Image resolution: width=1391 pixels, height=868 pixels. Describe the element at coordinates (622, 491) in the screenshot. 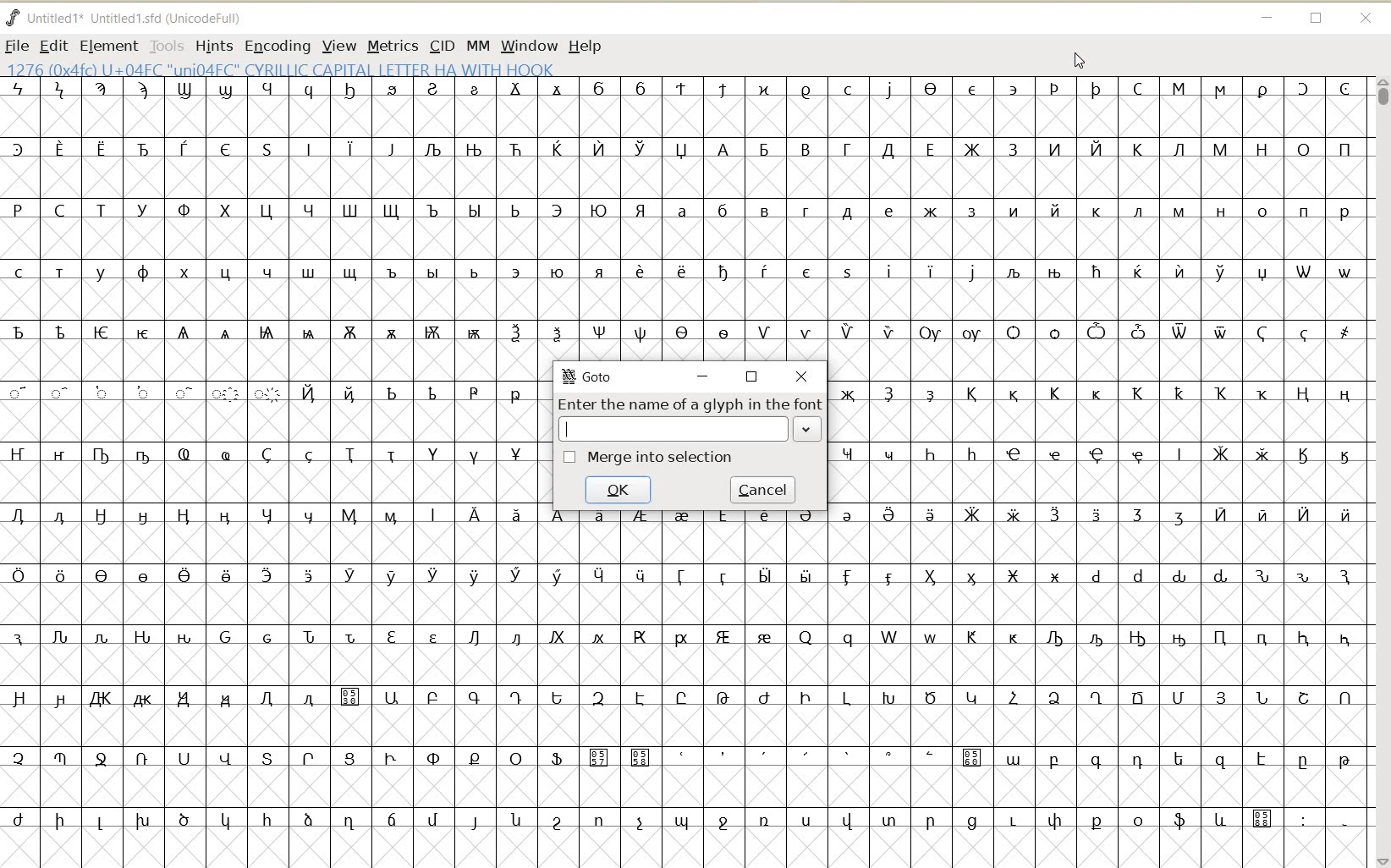

I see `ok` at that location.